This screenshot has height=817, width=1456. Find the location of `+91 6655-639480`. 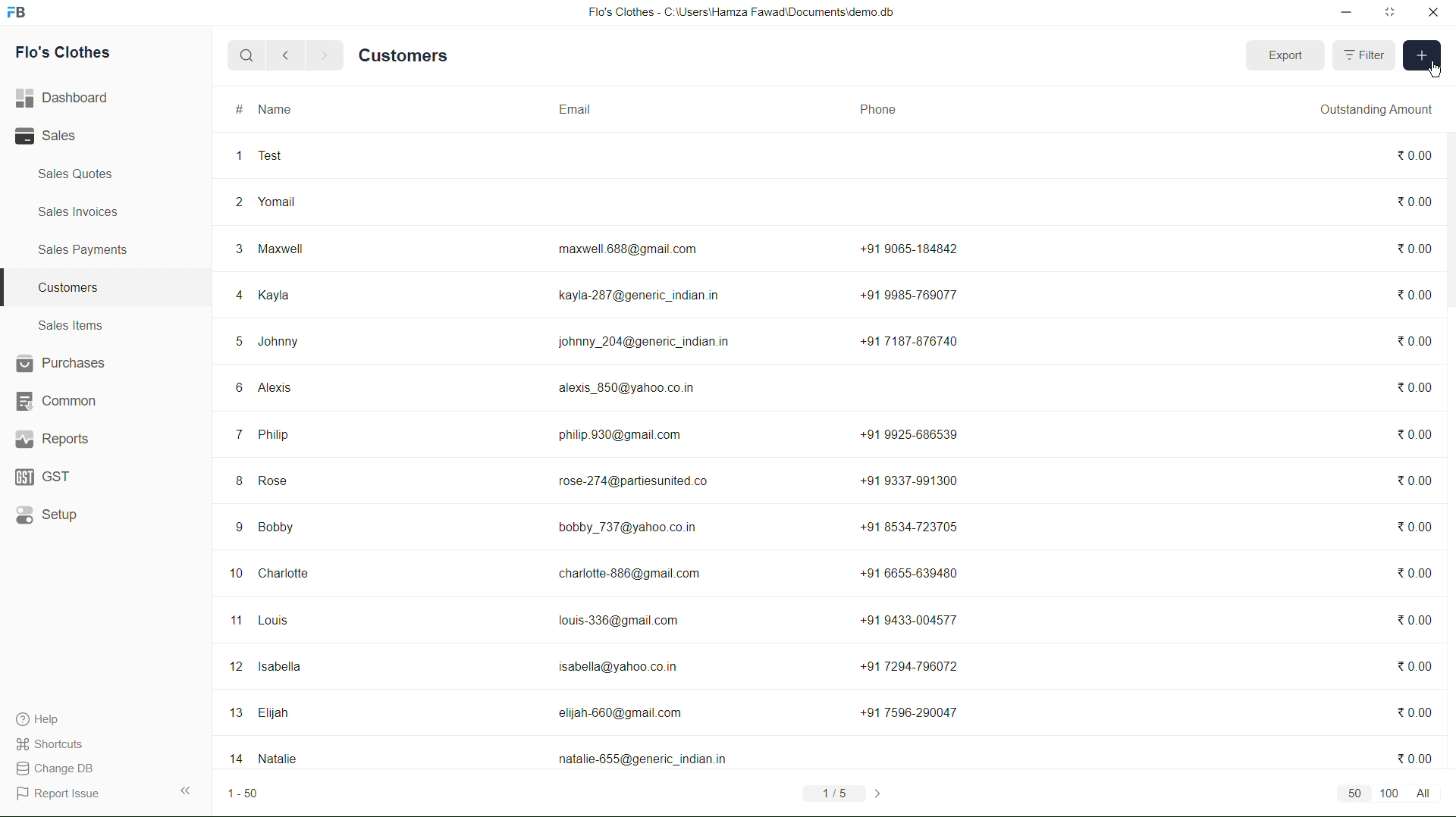

+91 6655-639480 is located at coordinates (907, 572).